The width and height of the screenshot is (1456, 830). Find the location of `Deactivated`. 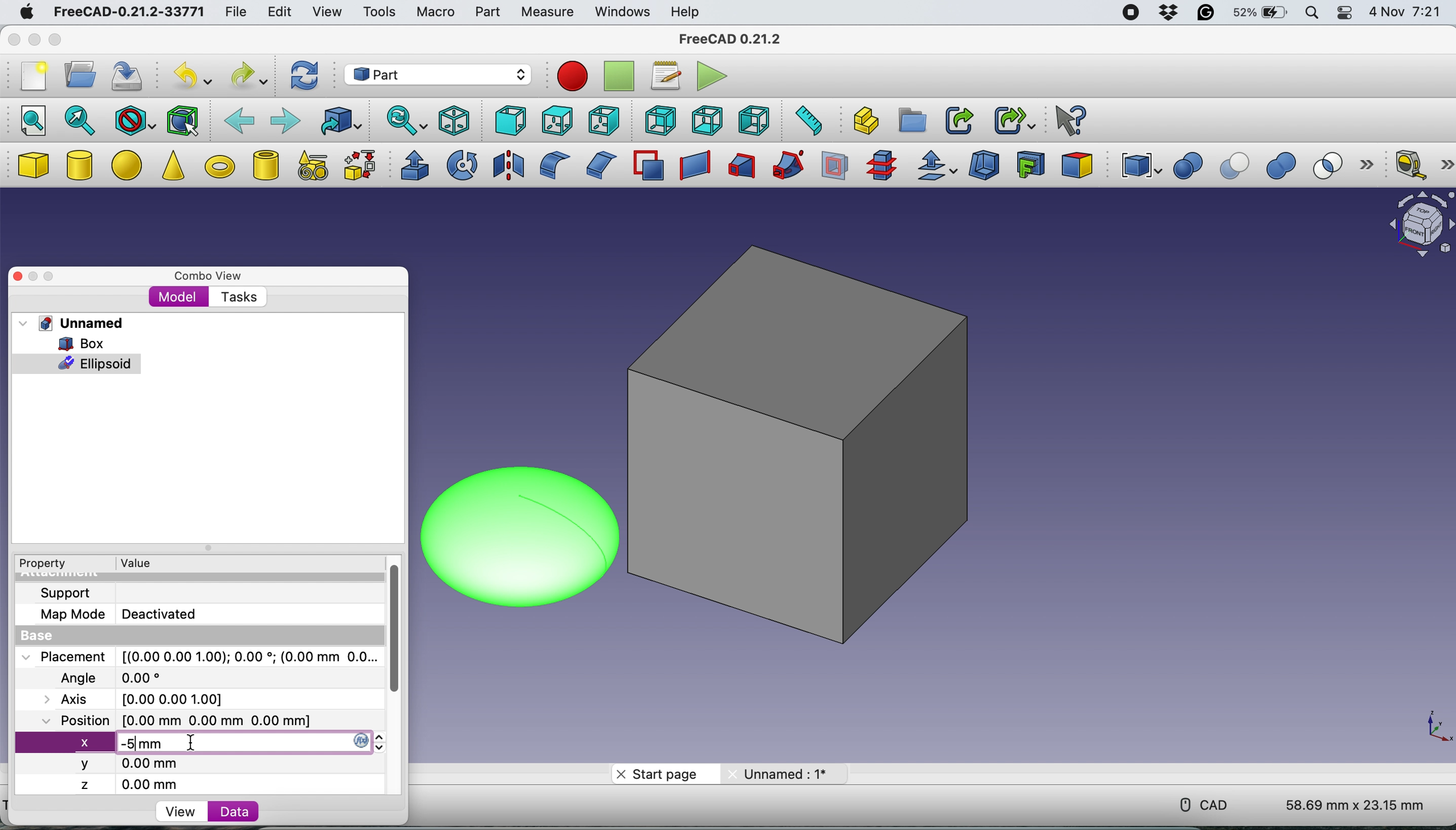

Deactivated is located at coordinates (164, 612).